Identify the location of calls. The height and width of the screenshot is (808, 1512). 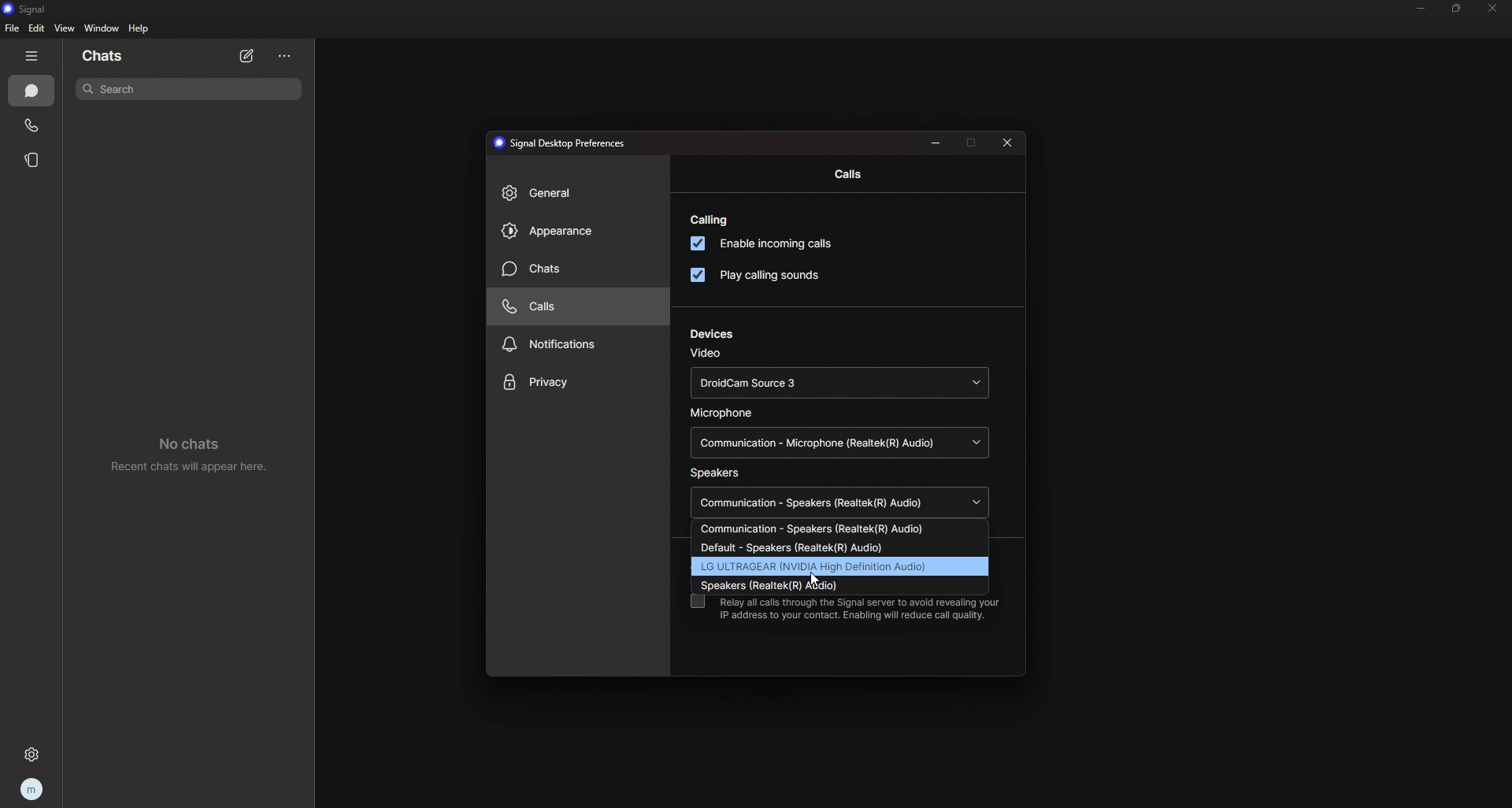
(573, 307).